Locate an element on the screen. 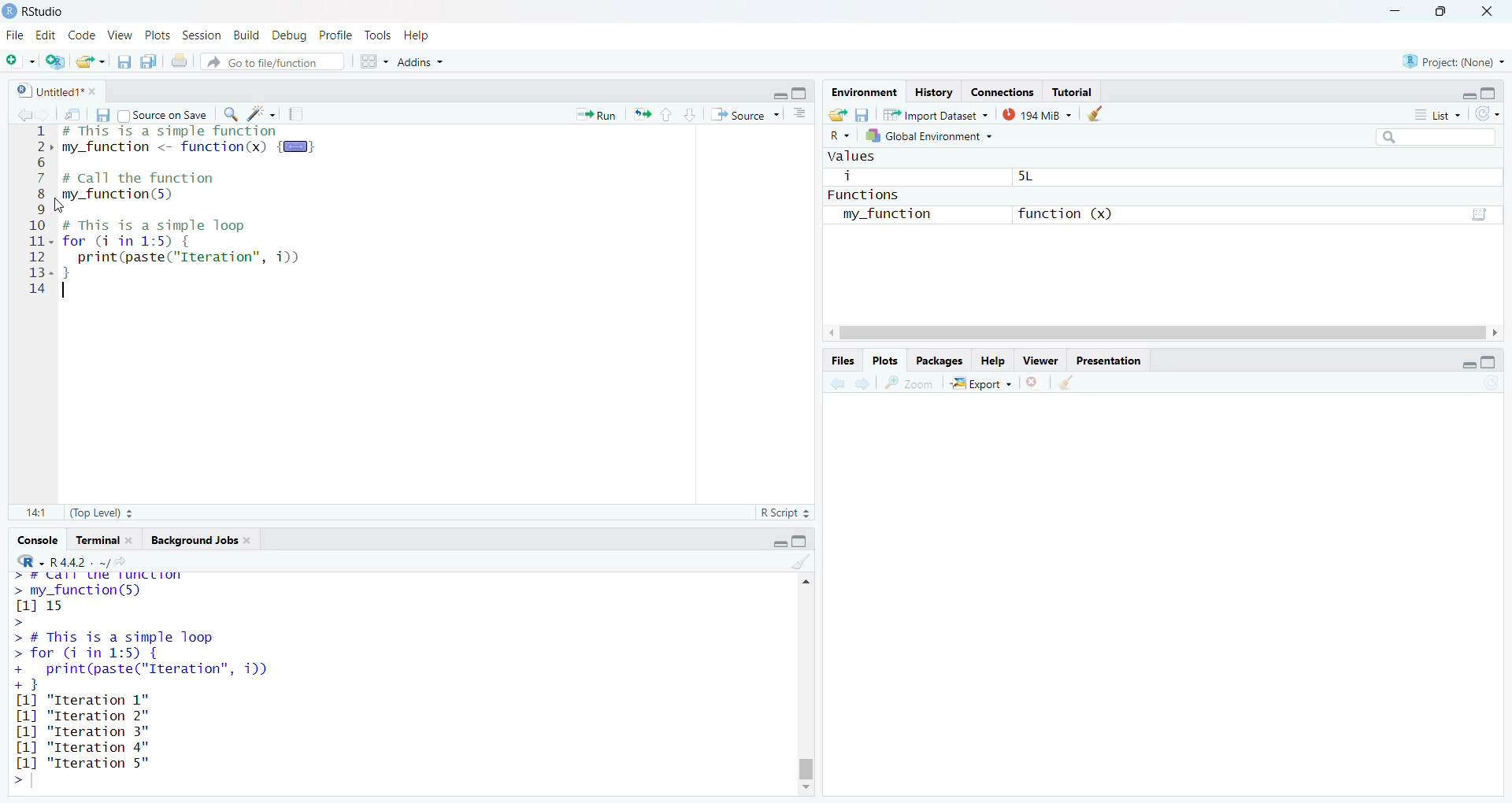  [1] "Iteration 5" is located at coordinates (80, 763).